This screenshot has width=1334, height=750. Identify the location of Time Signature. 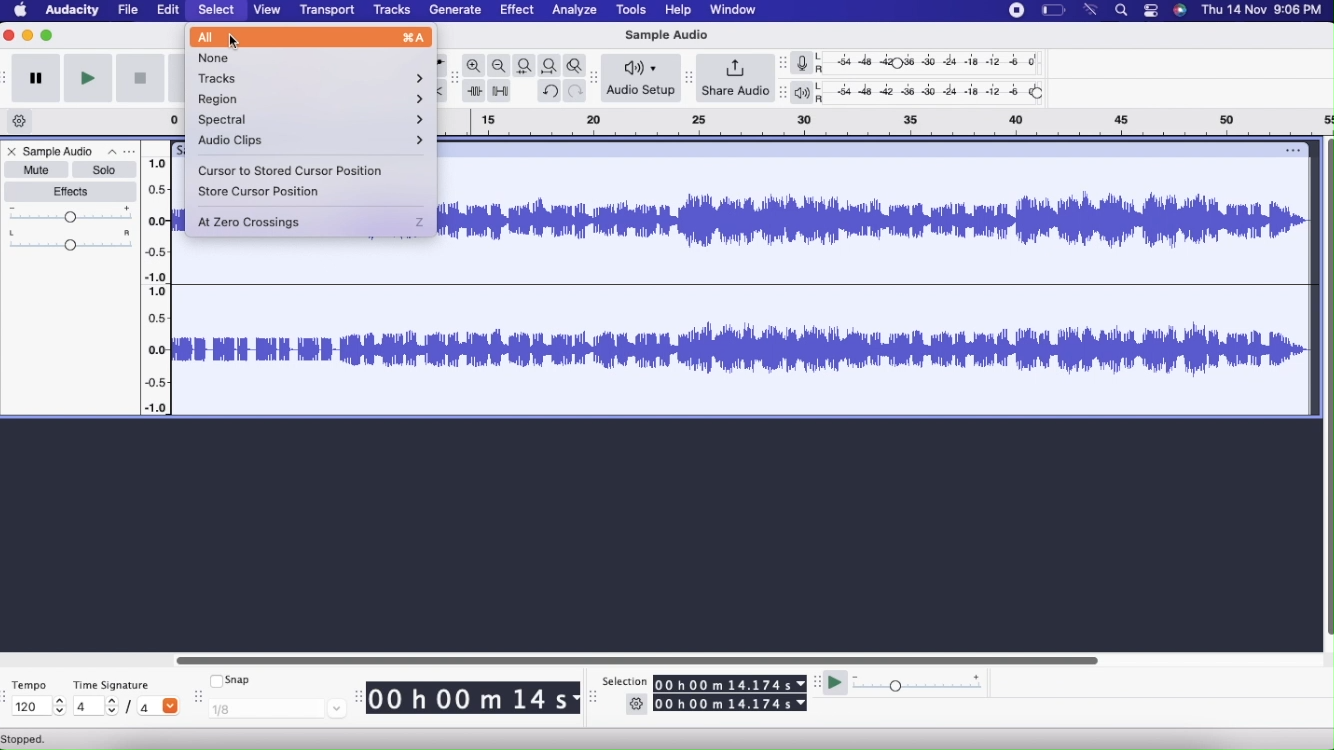
(112, 681).